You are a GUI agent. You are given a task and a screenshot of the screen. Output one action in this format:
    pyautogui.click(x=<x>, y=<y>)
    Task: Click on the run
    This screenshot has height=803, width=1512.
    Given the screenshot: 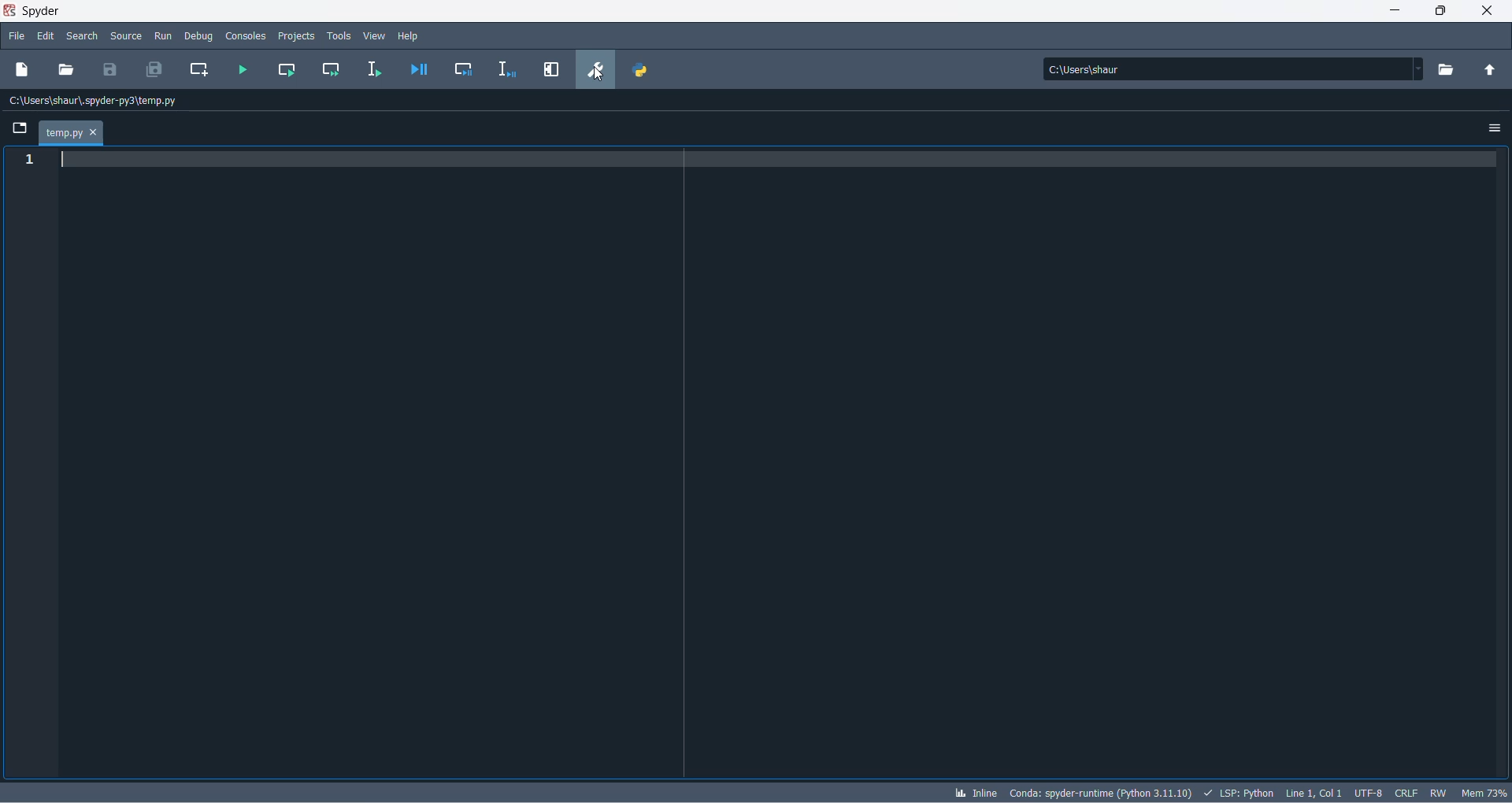 What is the action you would take?
    pyautogui.click(x=160, y=34)
    